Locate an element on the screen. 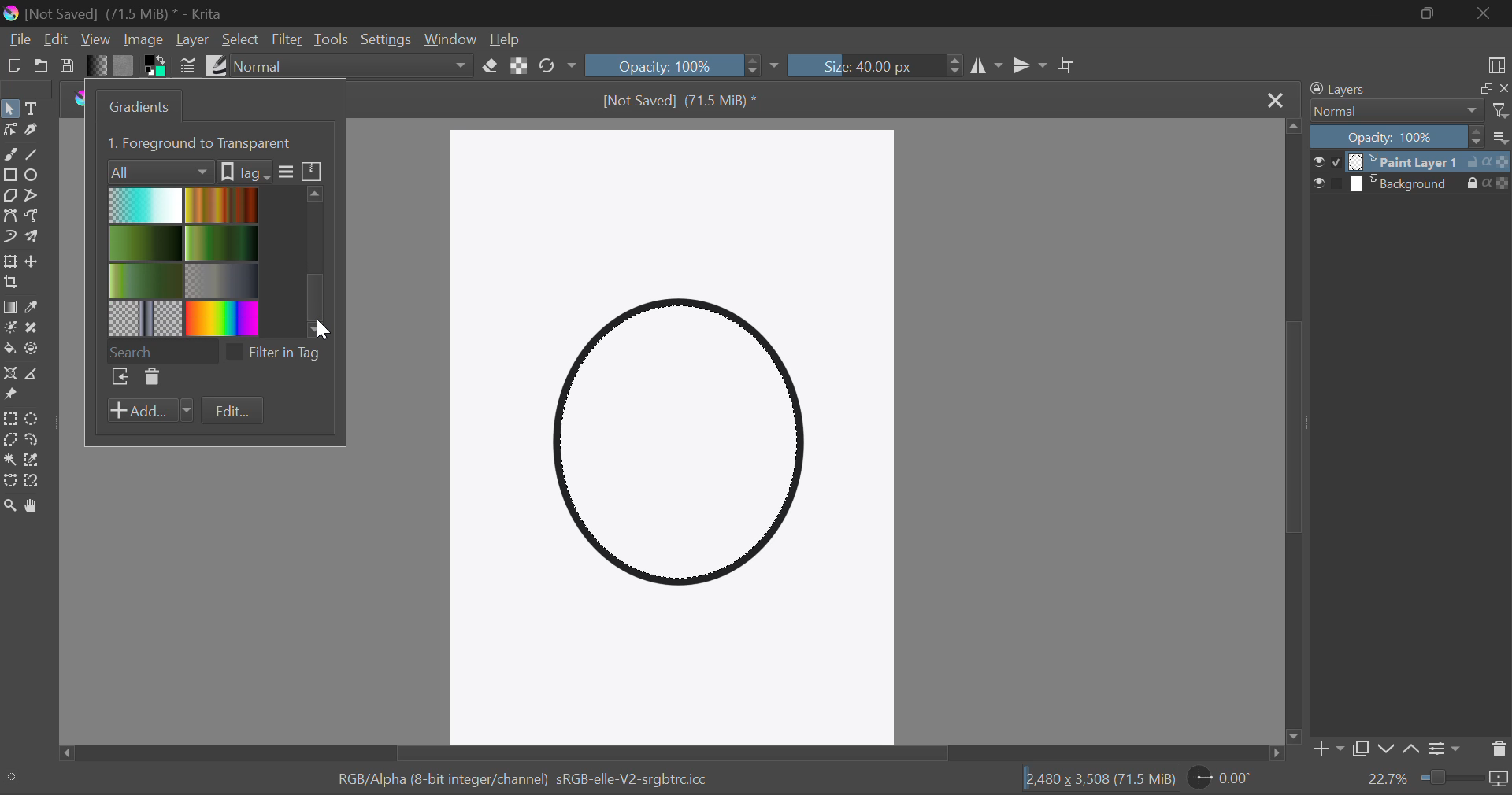  Choose Workspace is located at coordinates (1496, 65).